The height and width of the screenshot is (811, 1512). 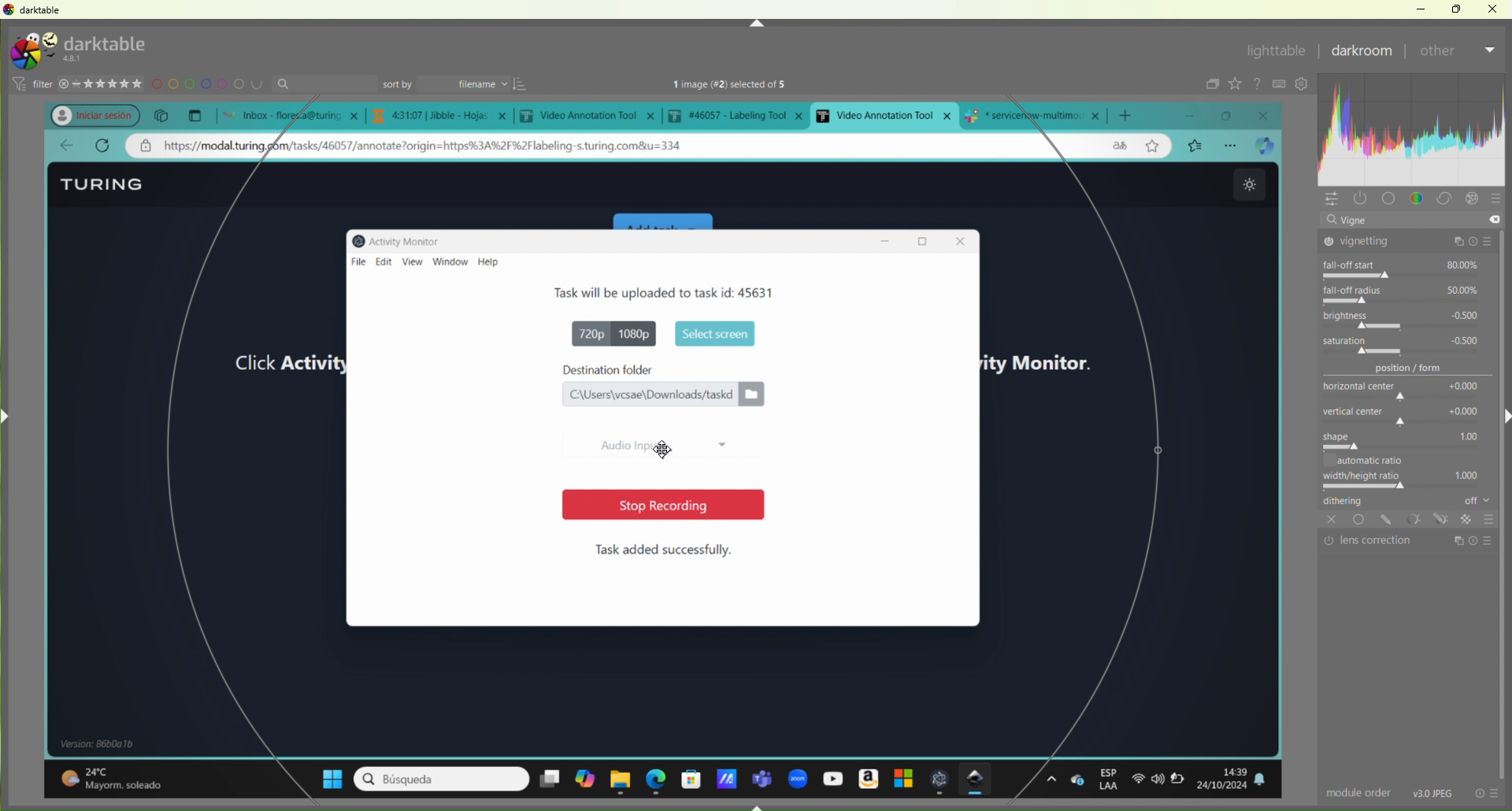 I want to click on New tab, so click(x=195, y=114).